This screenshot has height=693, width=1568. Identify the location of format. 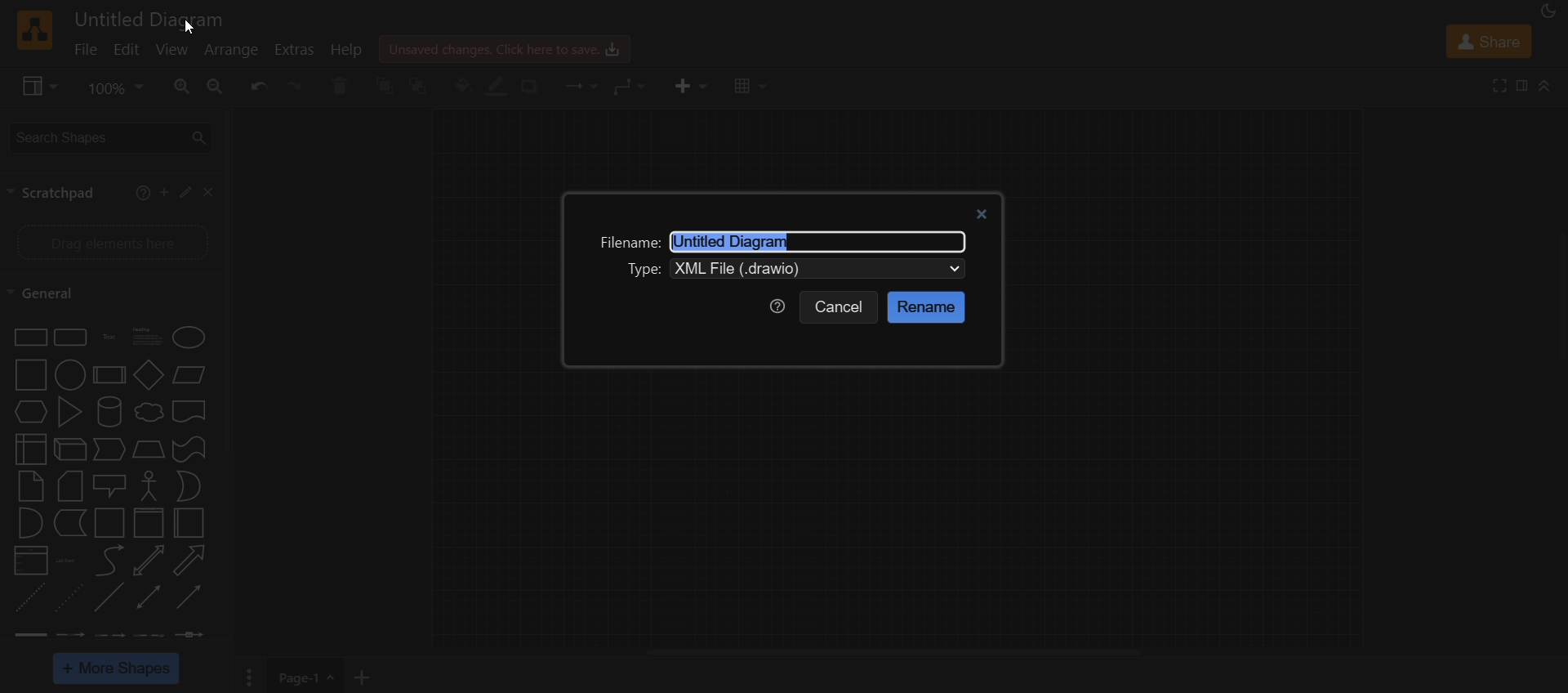
(1524, 87).